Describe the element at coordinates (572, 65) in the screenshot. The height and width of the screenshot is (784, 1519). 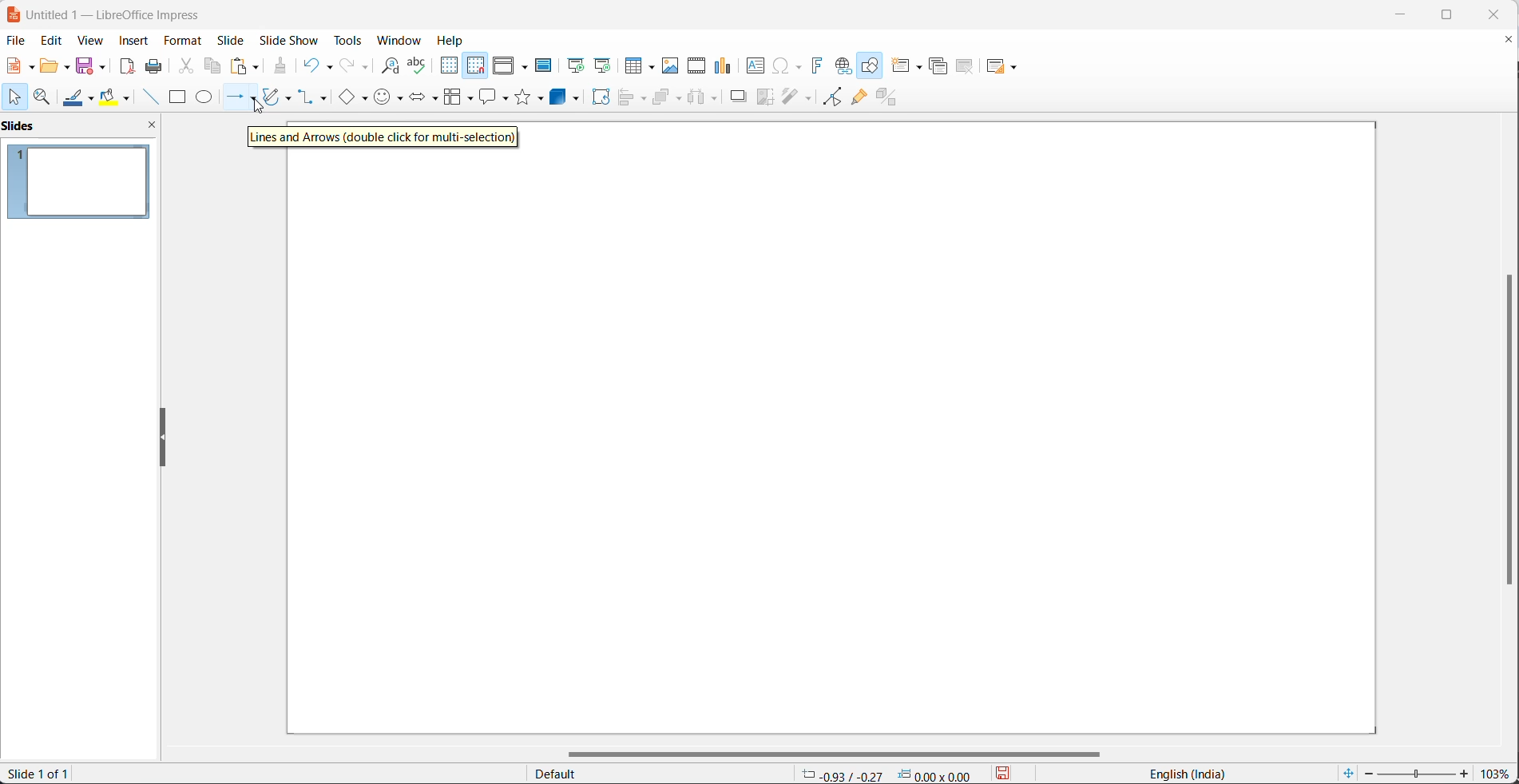
I see `start from first slide` at that location.